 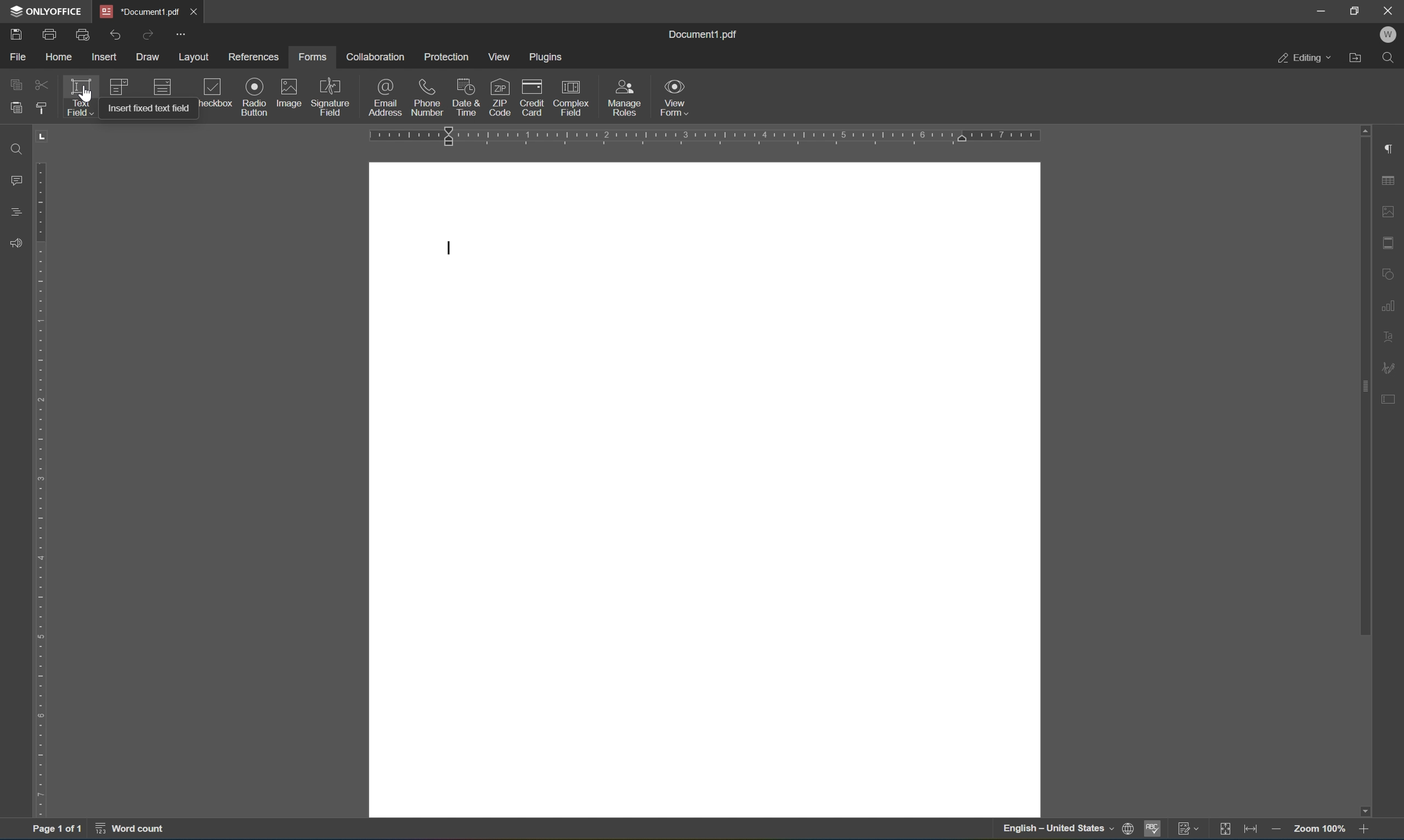 What do you see at coordinates (1390, 335) in the screenshot?
I see `text art settings` at bounding box center [1390, 335].